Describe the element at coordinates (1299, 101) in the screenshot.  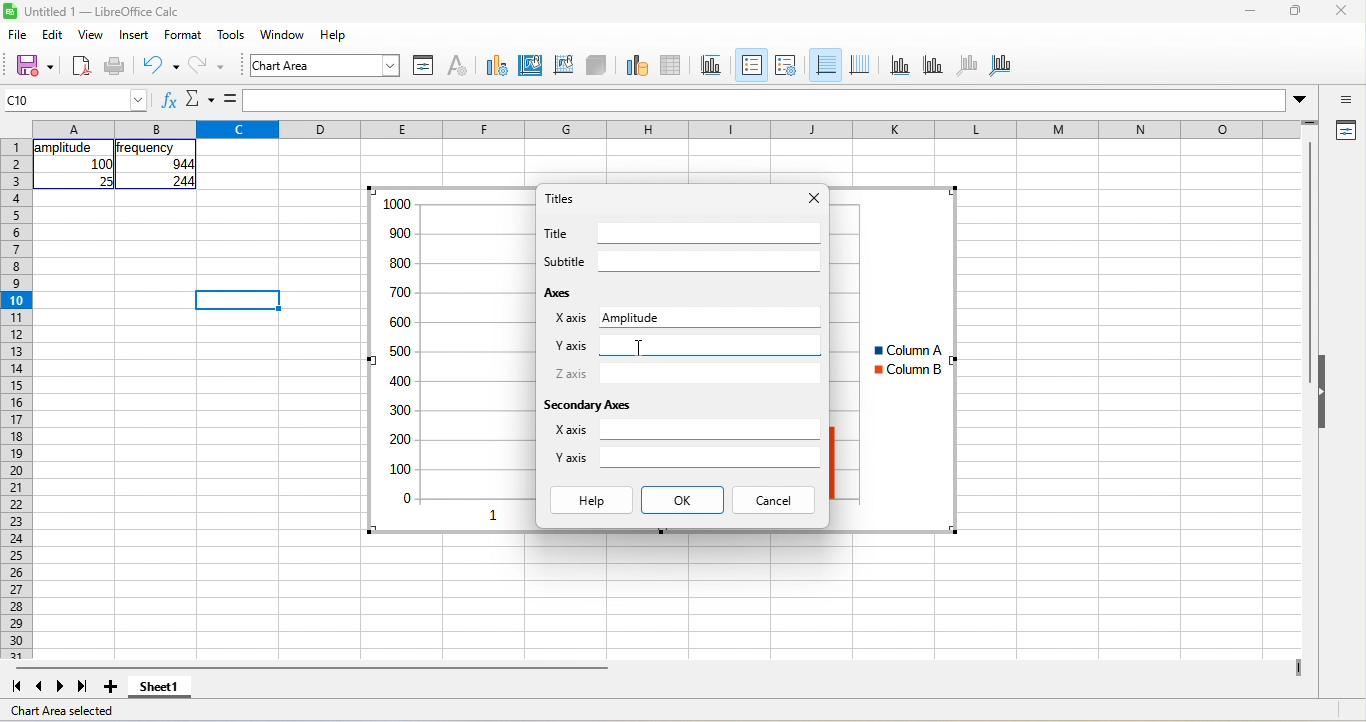
I see `More options` at that location.